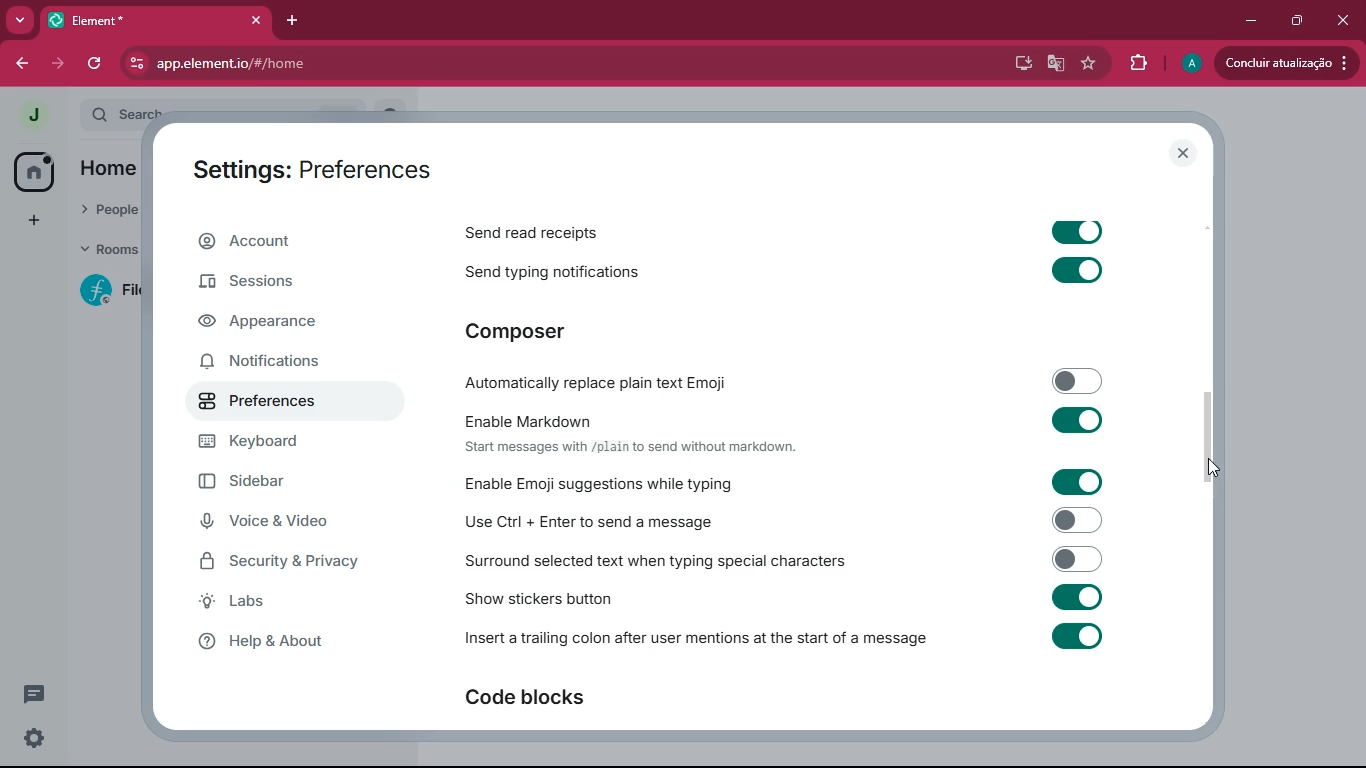 This screenshot has height=768, width=1366. What do you see at coordinates (277, 365) in the screenshot?
I see `notifications` at bounding box center [277, 365].